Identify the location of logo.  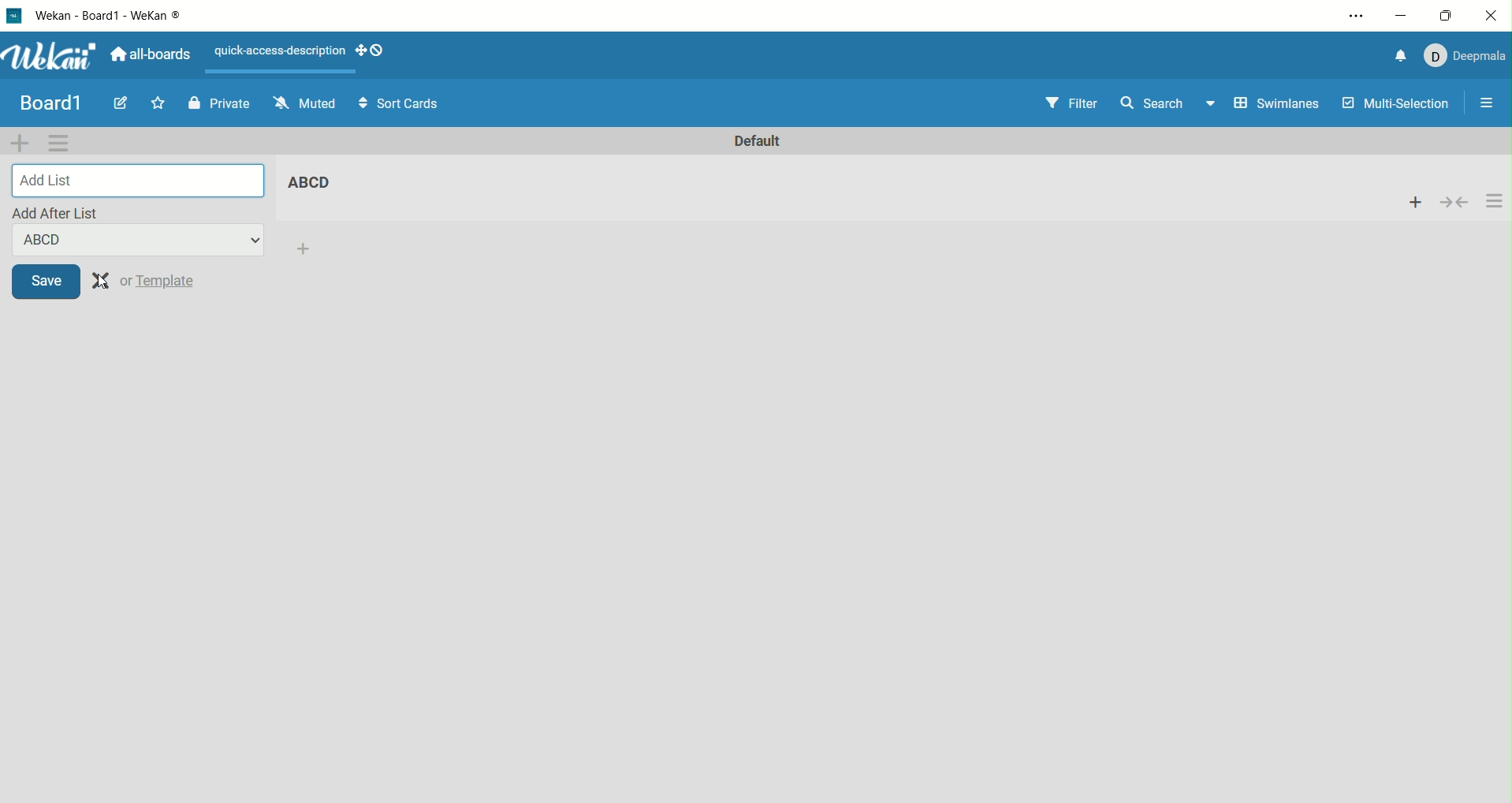
(12, 17).